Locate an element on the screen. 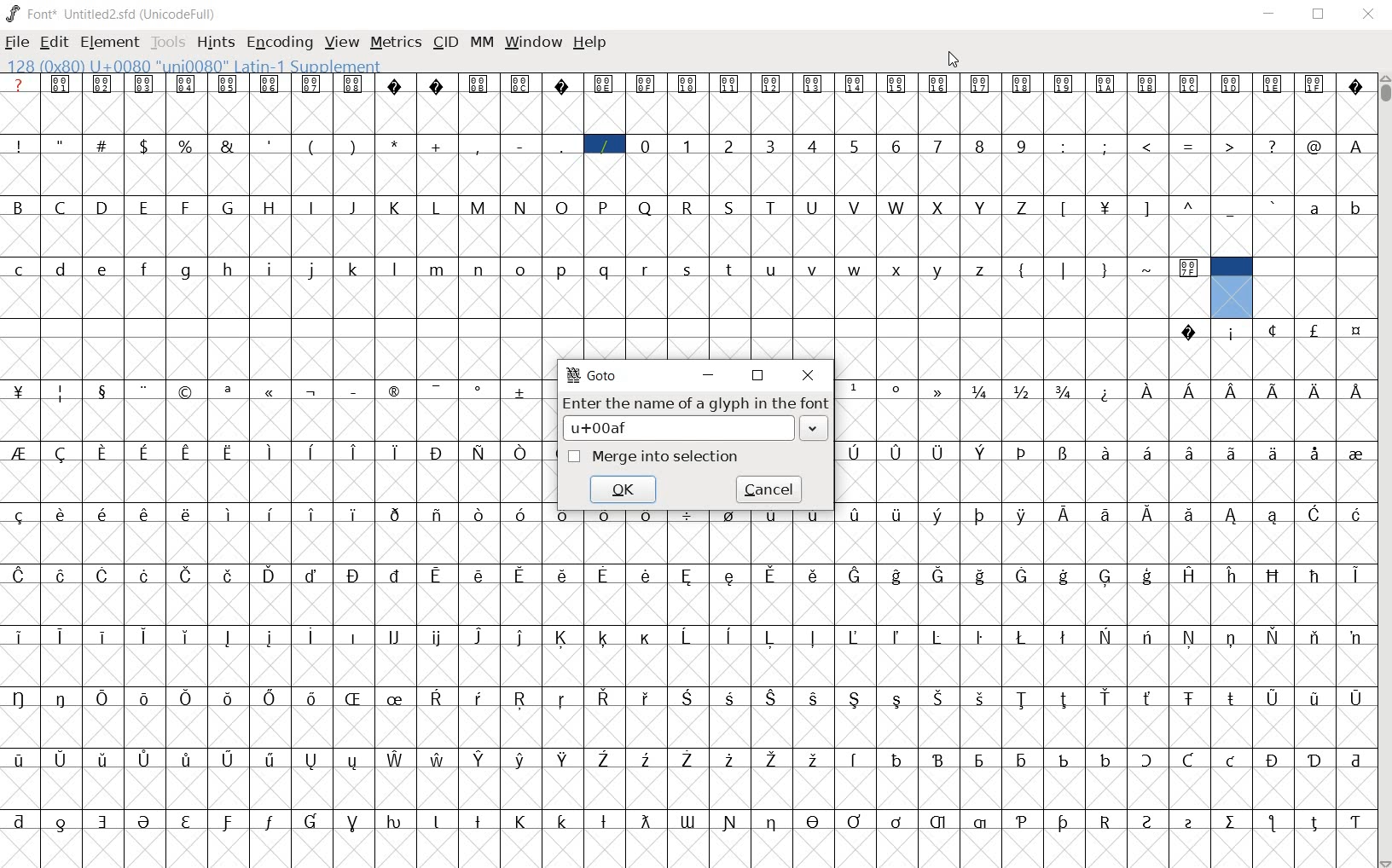 This screenshot has height=868, width=1392. Symbol is located at coordinates (1273, 454).